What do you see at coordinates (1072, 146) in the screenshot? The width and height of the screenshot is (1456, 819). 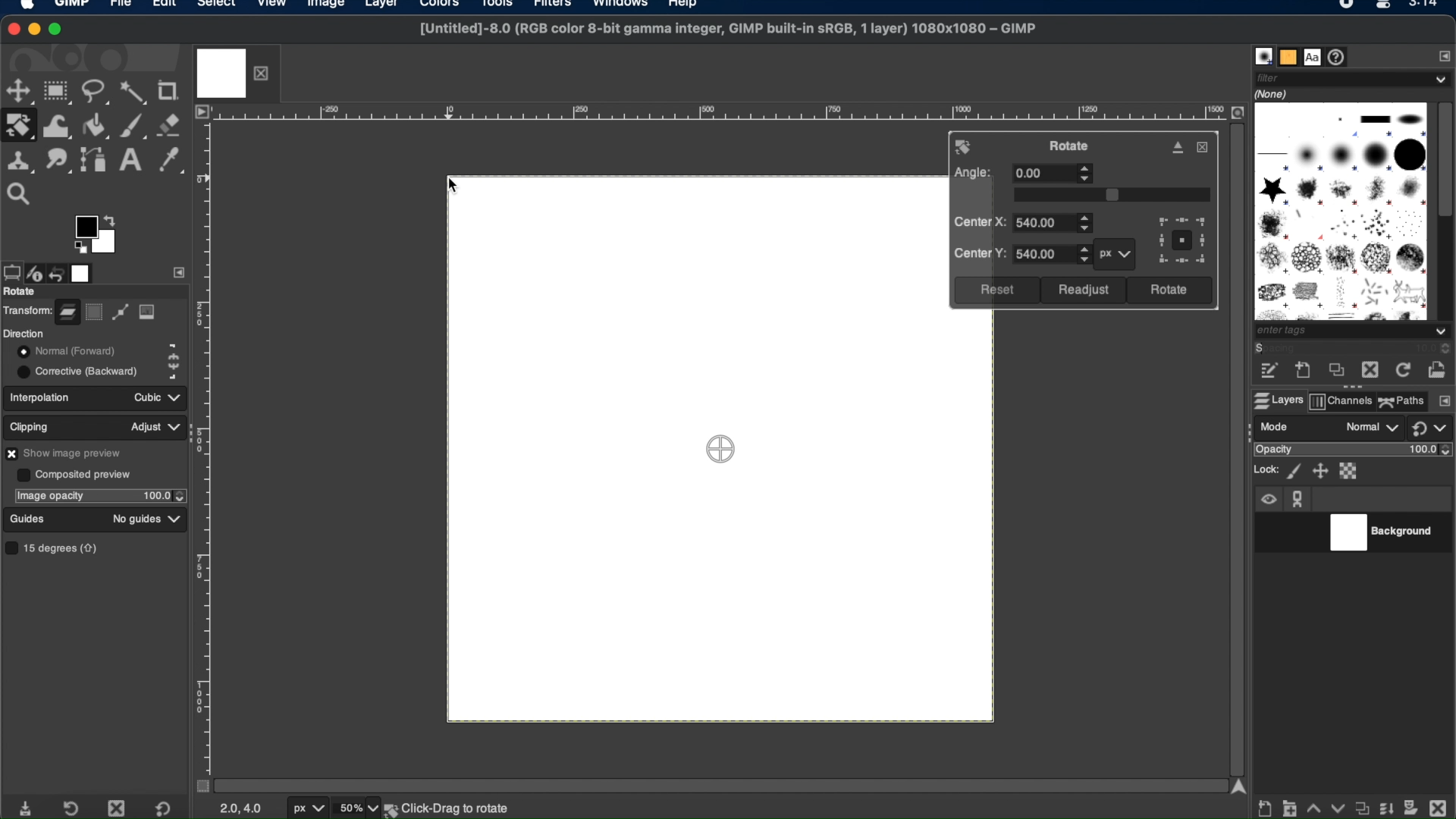 I see `rotate` at bounding box center [1072, 146].